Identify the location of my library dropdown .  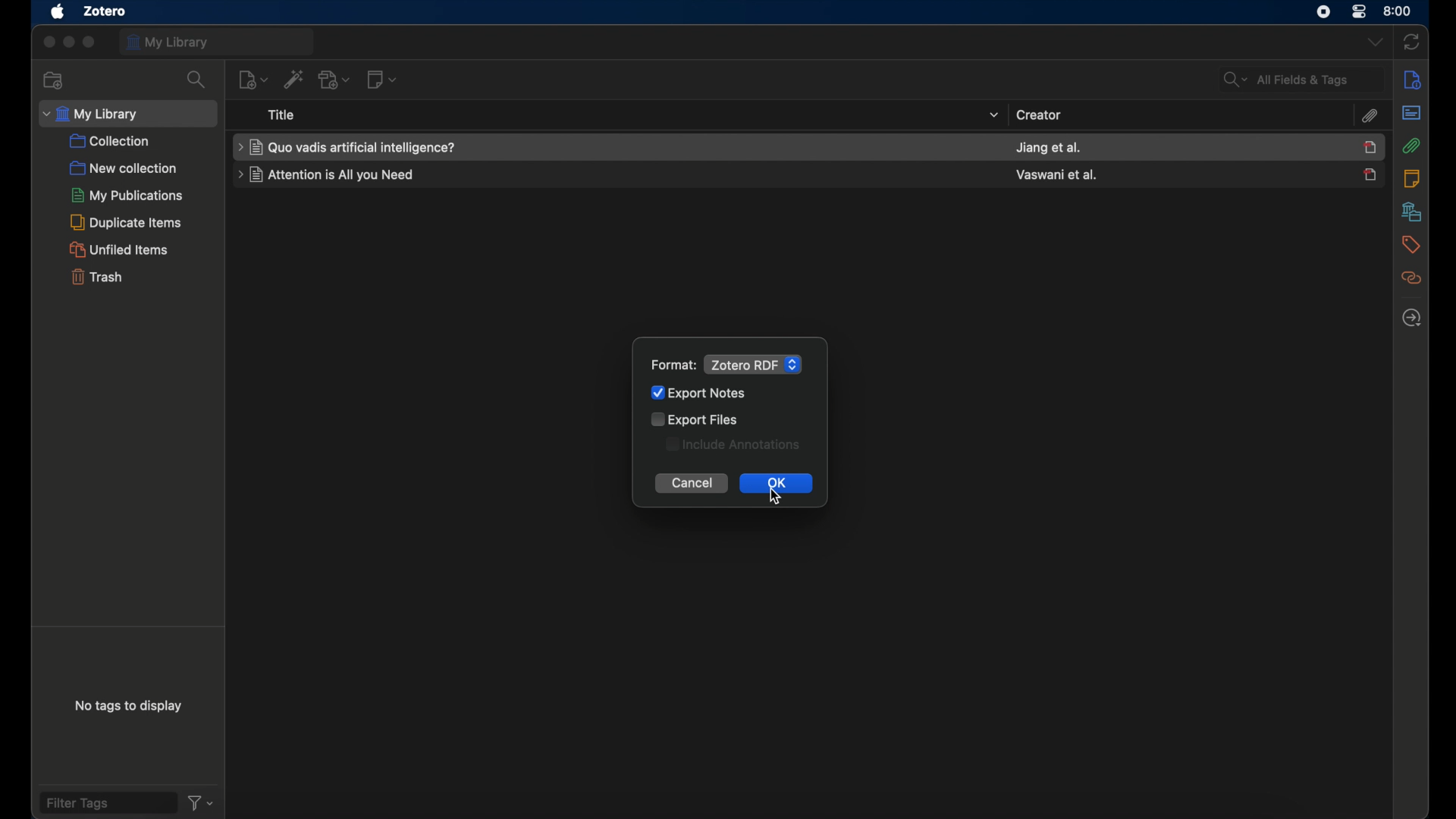
(127, 114).